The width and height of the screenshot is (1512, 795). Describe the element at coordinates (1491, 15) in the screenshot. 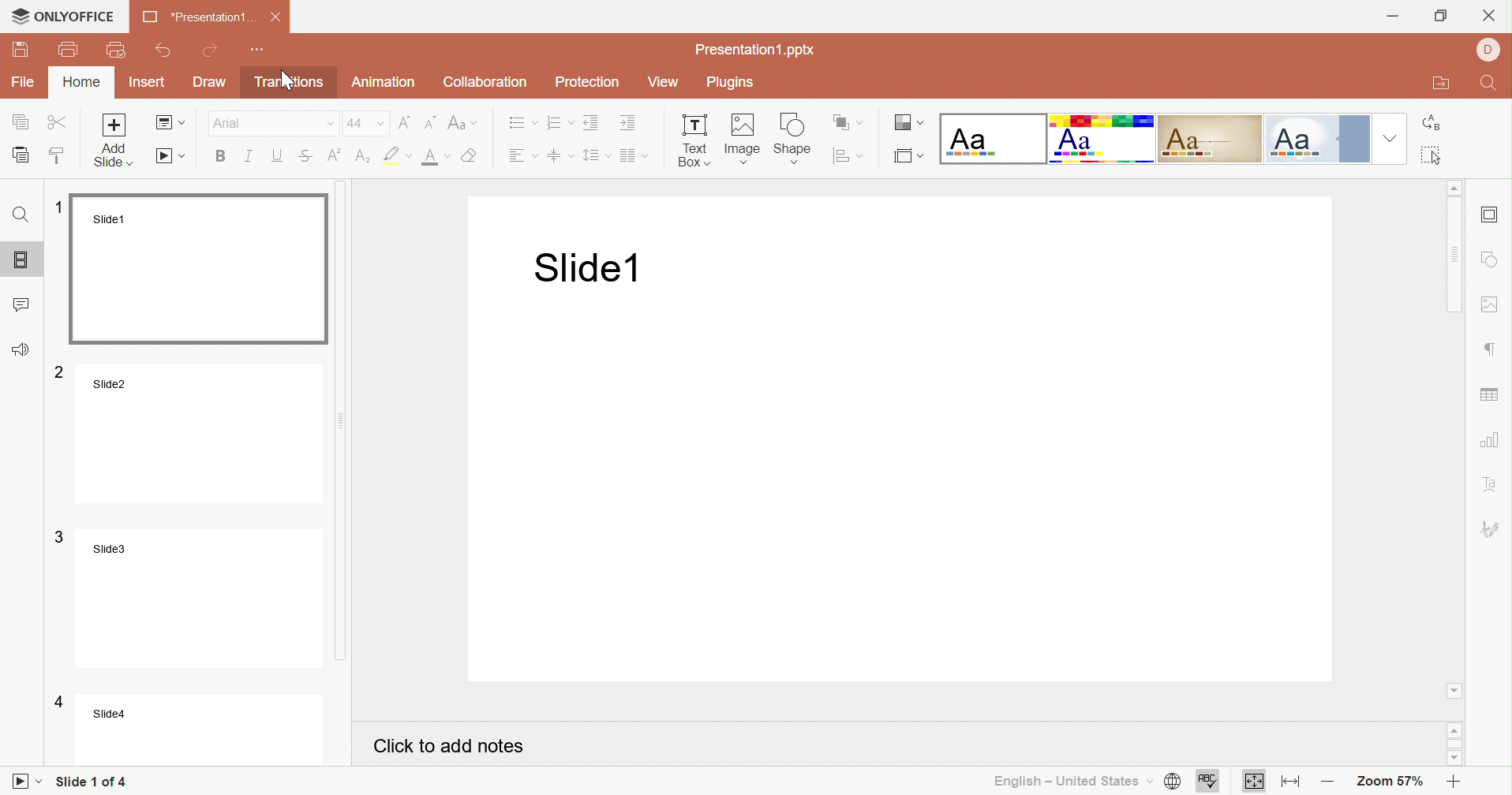

I see `Close` at that location.